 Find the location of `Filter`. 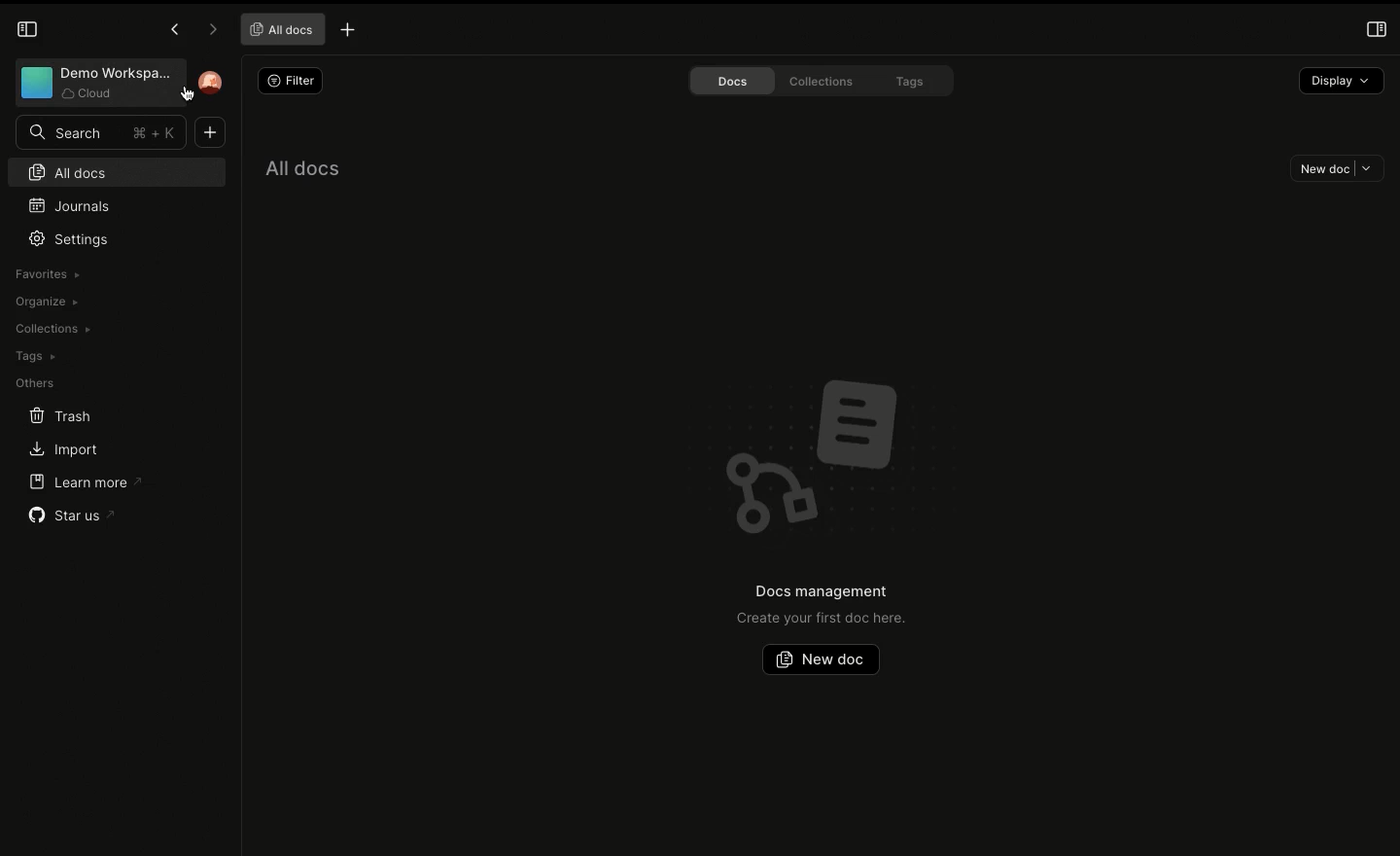

Filter is located at coordinates (291, 80).